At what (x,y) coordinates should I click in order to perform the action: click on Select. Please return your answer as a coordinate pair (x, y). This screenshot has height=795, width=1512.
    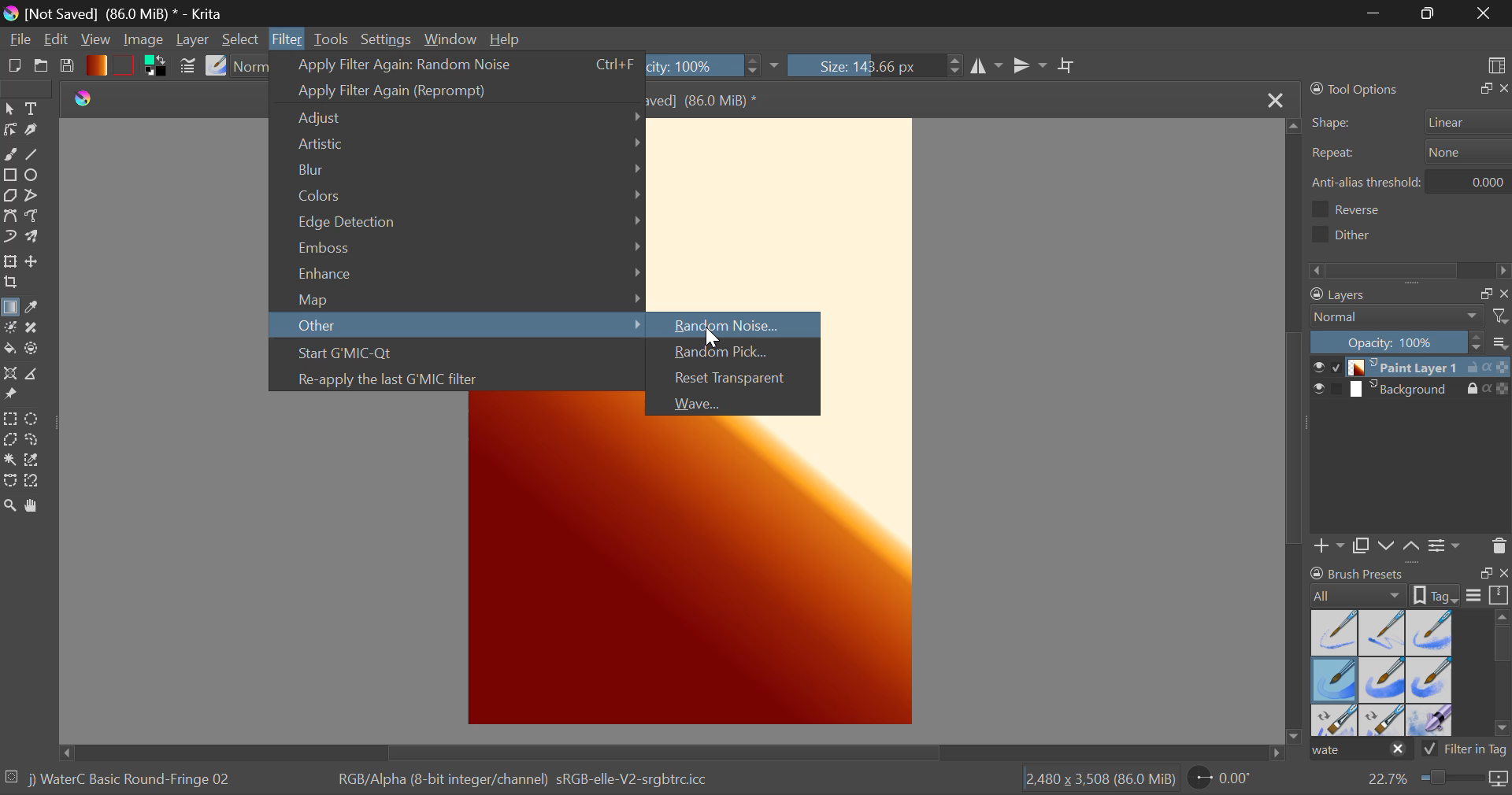
    Looking at the image, I should click on (240, 38).